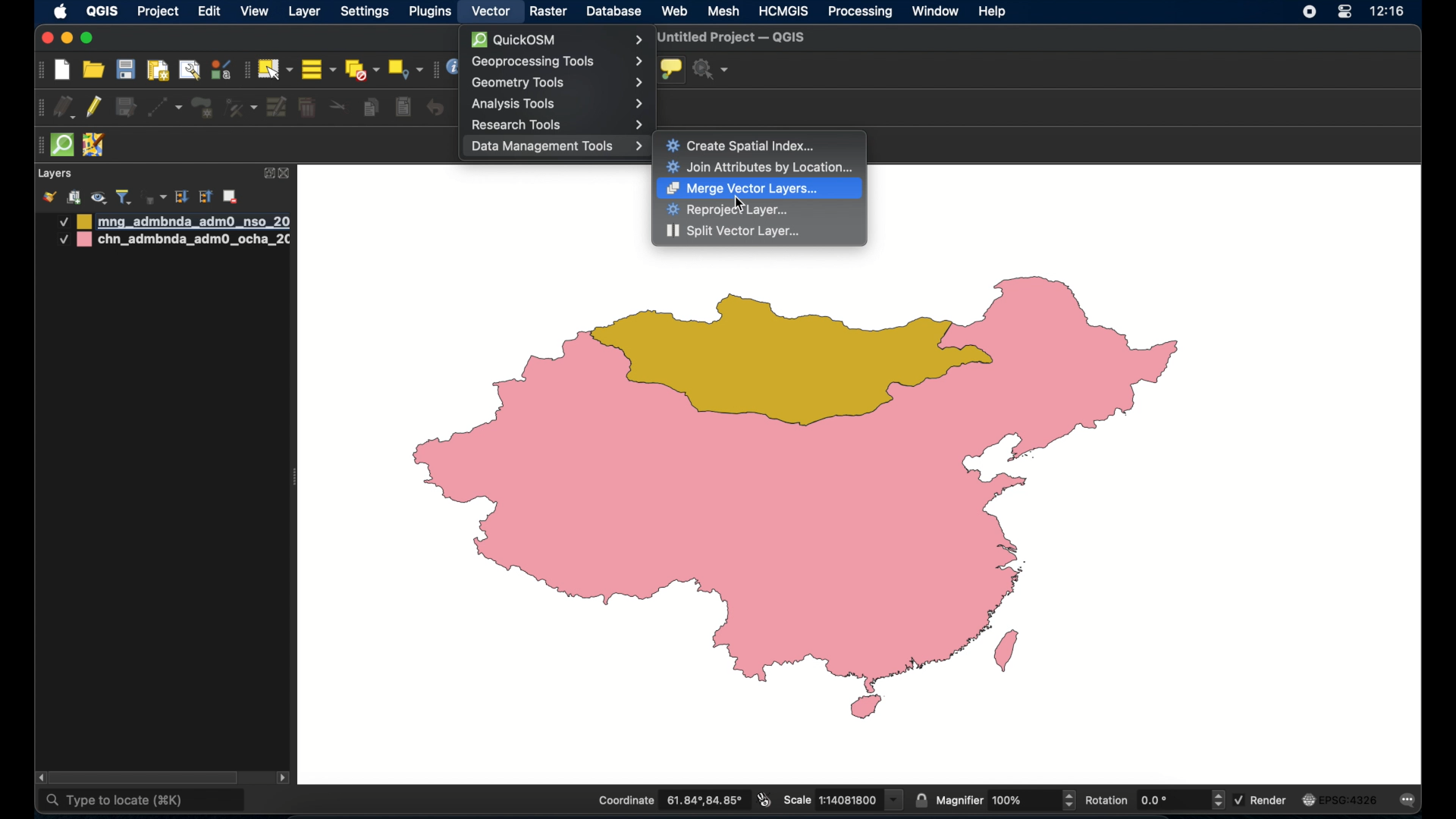 Image resolution: width=1456 pixels, height=819 pixels. What do you see at coordinates (255, 13) in the screenshot?
I see `view` at bounding box center [255, 13].